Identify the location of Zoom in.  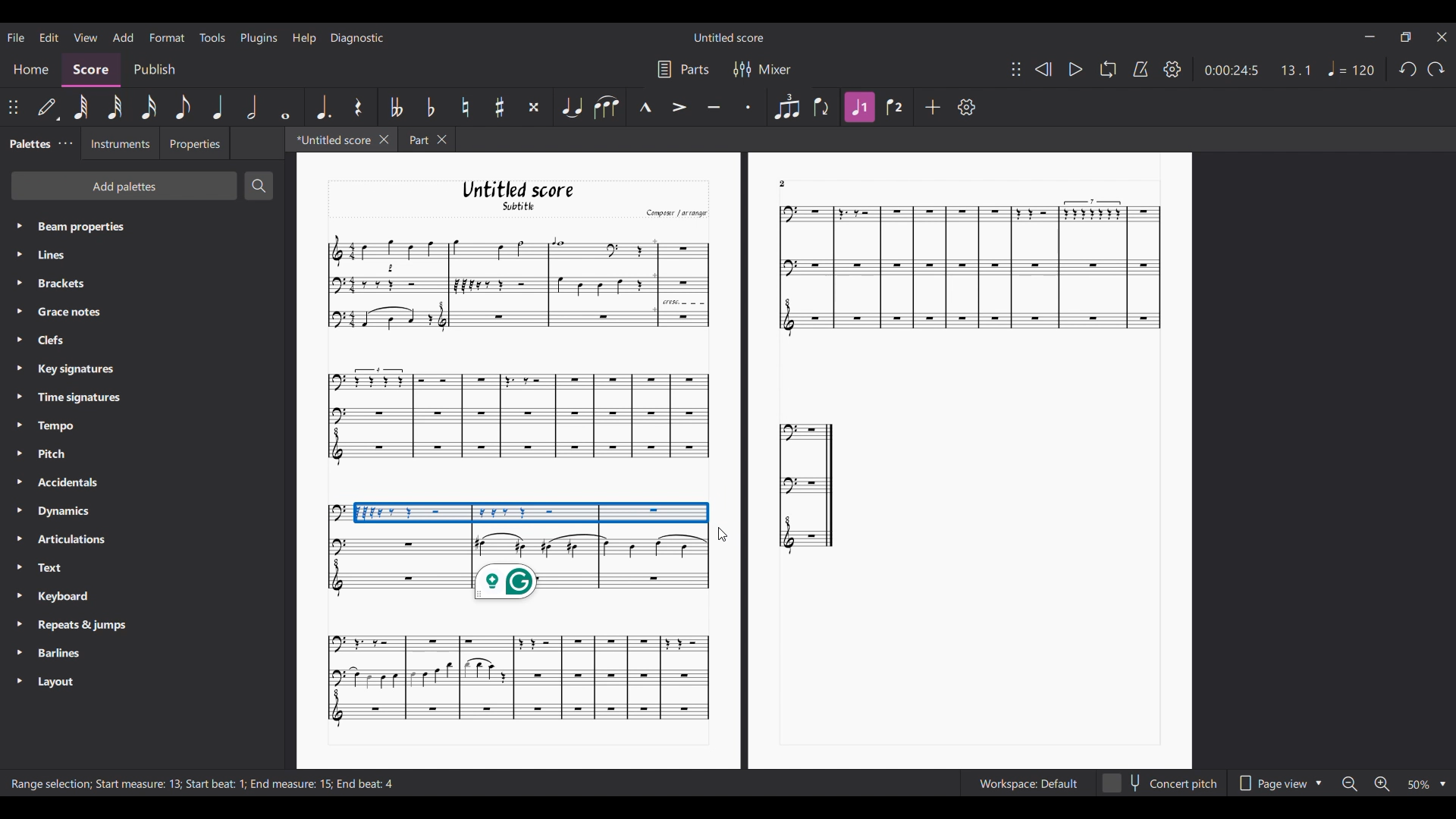
(1383, 785).